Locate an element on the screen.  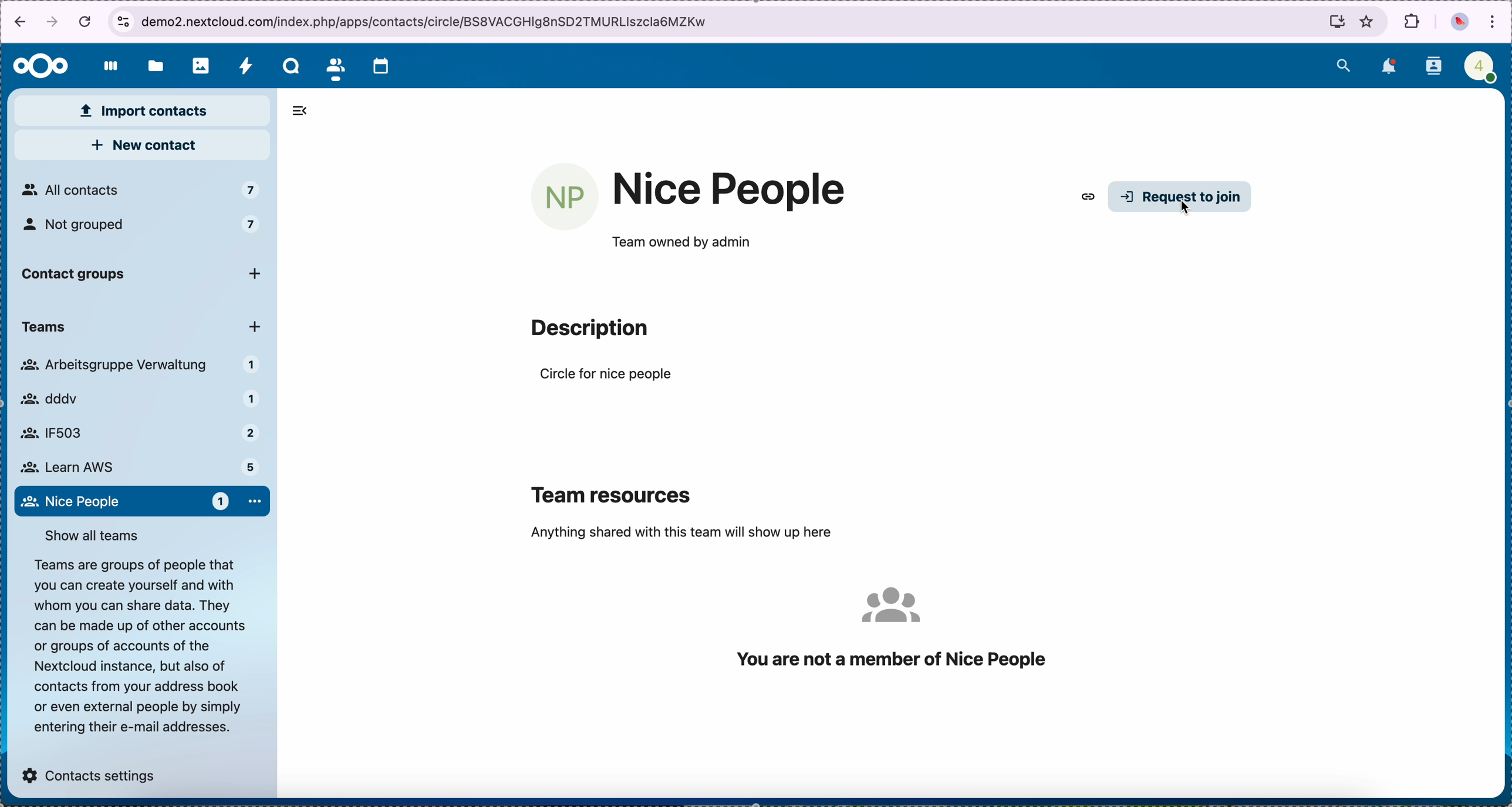
IF503 is located at coordinates (134, 433).